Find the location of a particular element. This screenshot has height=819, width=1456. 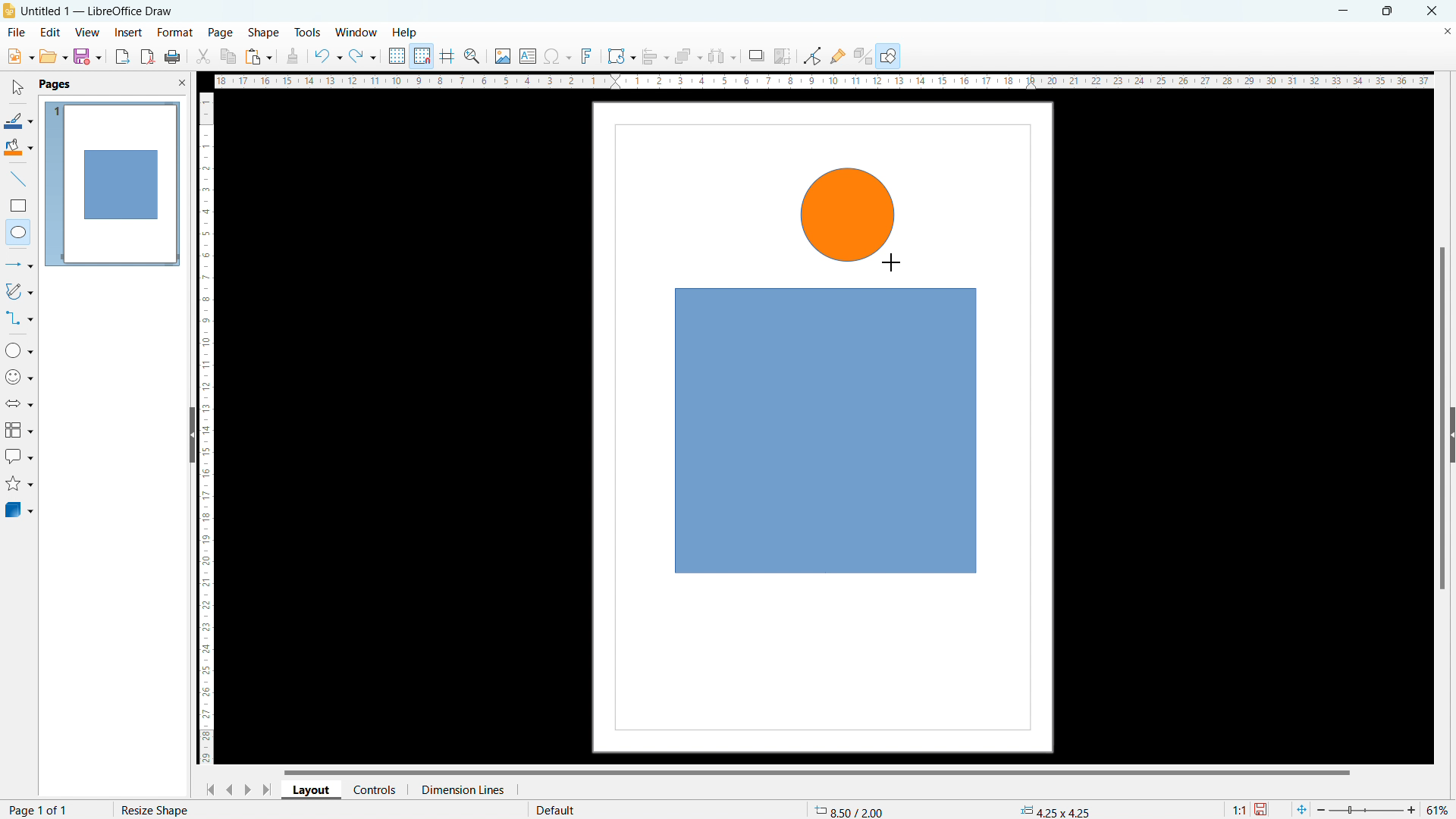

cut is located at coordinates (204, 56).